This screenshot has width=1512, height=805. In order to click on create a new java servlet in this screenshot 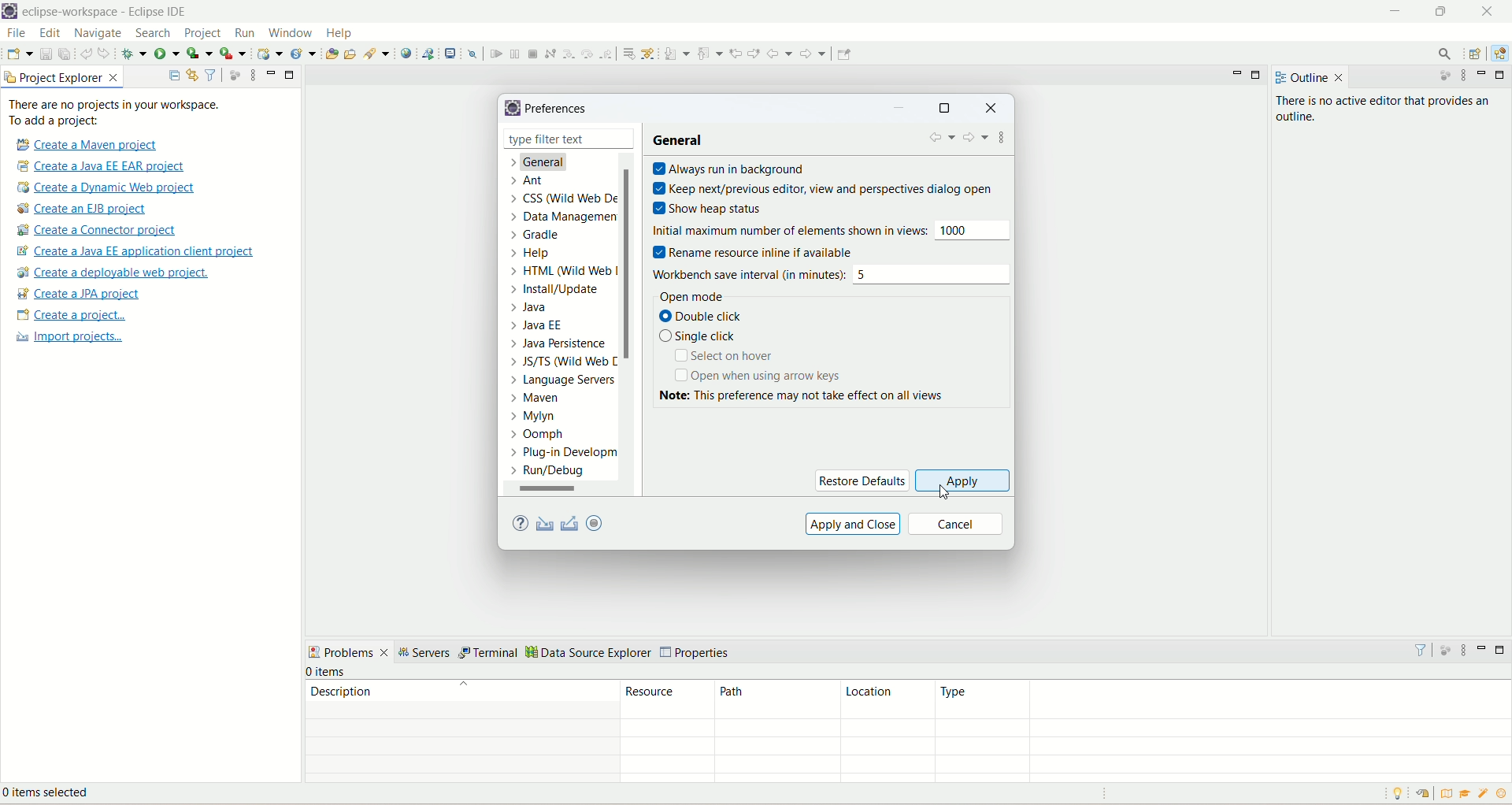, I will do `click(304, 54)`.